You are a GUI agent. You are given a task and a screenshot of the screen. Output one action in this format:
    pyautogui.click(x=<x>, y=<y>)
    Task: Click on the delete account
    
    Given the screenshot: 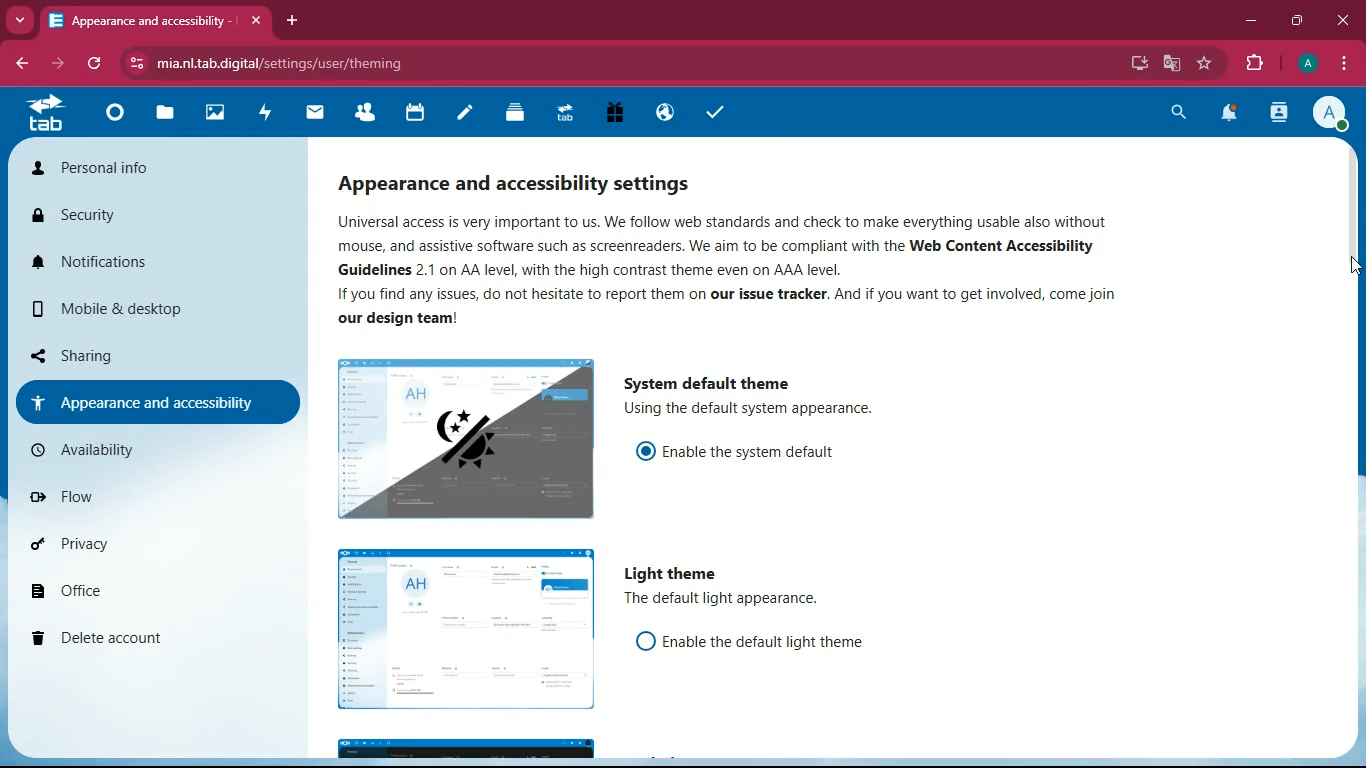 What is the action you would take?
    pyautogui.click(x=147, y=638)
    